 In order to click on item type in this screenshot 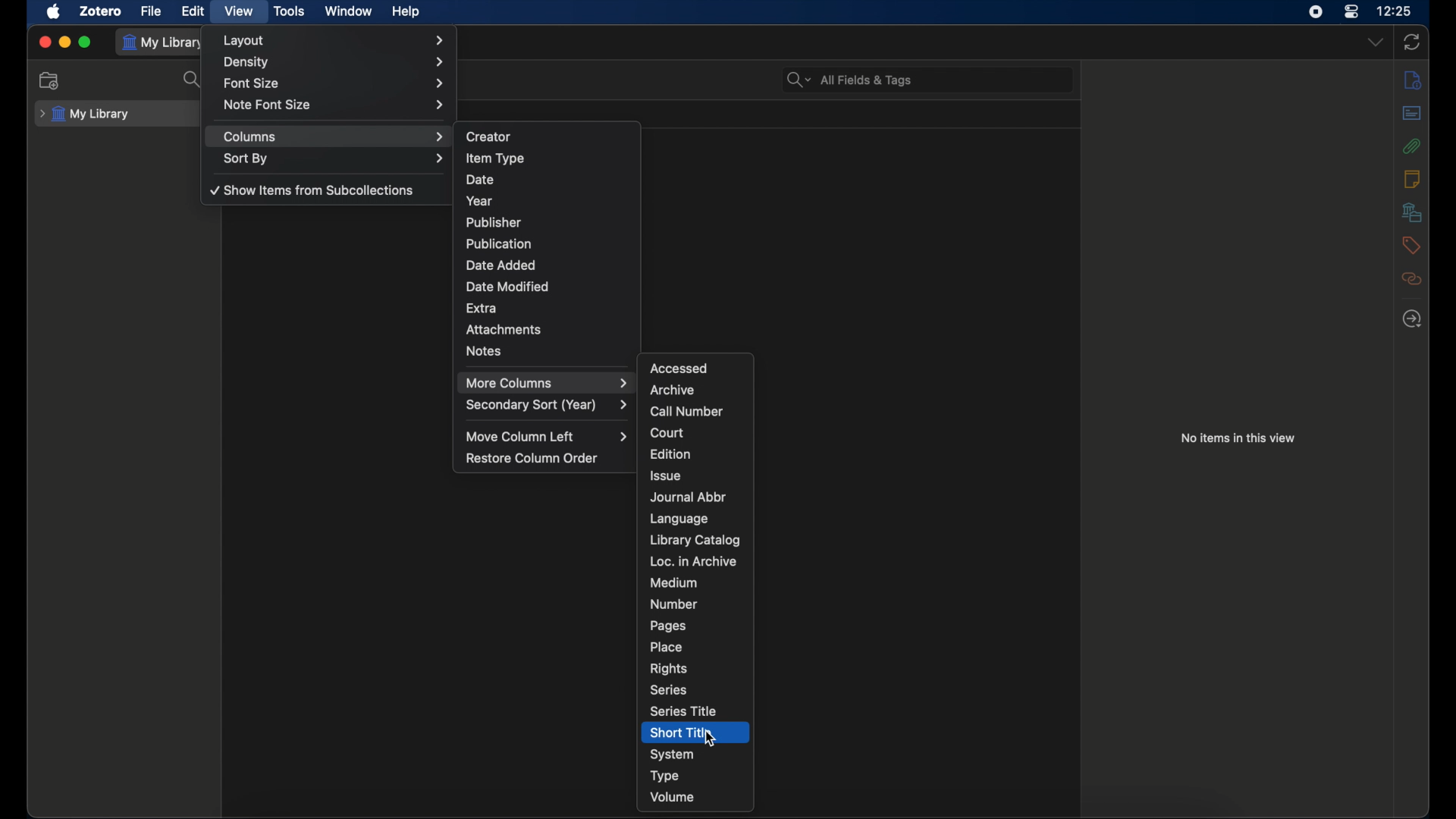, I will do `click(496, 159)`.